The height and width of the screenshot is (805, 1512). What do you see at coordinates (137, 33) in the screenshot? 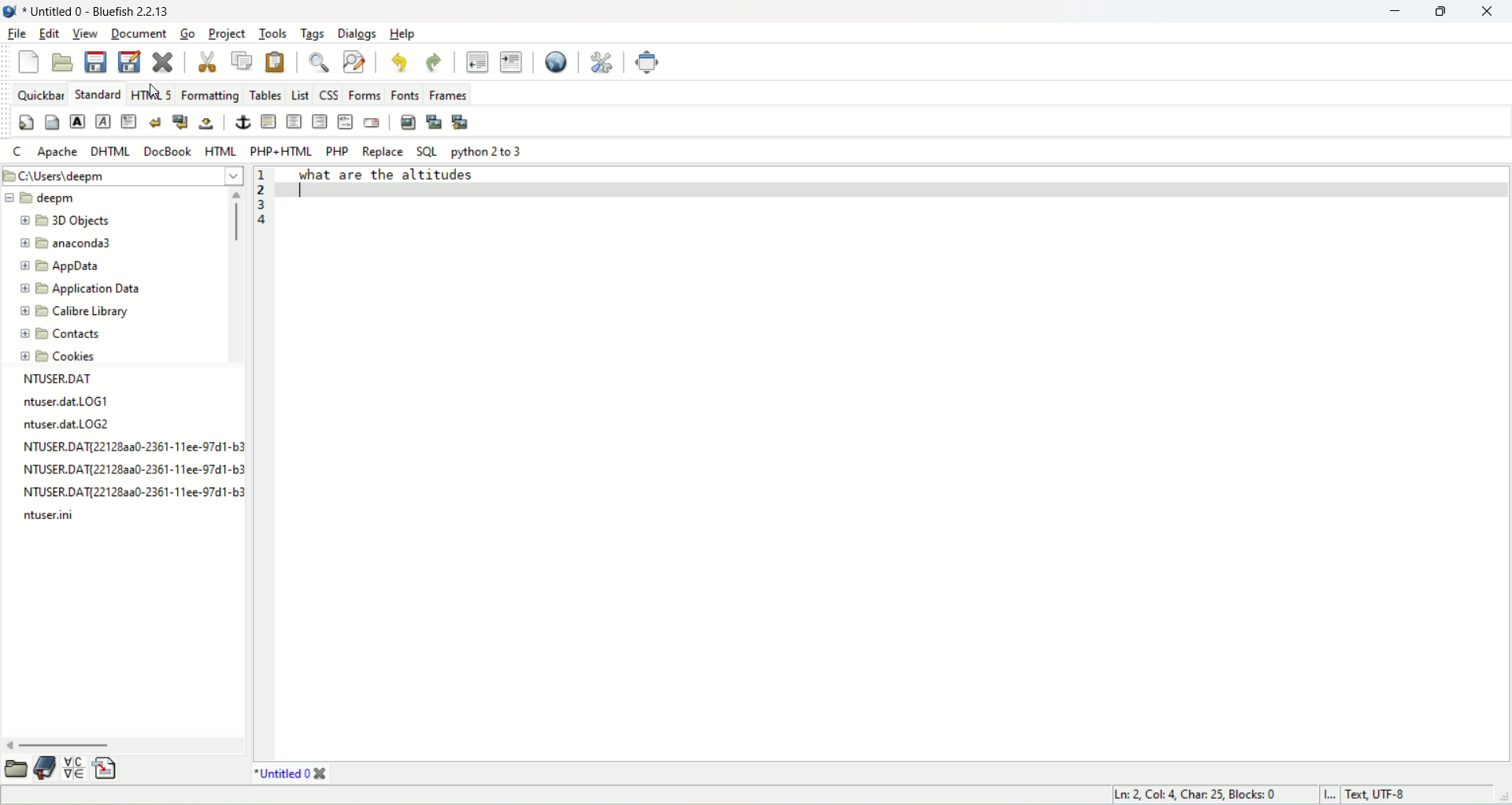
I see `document` at bounding box center [137, 33].